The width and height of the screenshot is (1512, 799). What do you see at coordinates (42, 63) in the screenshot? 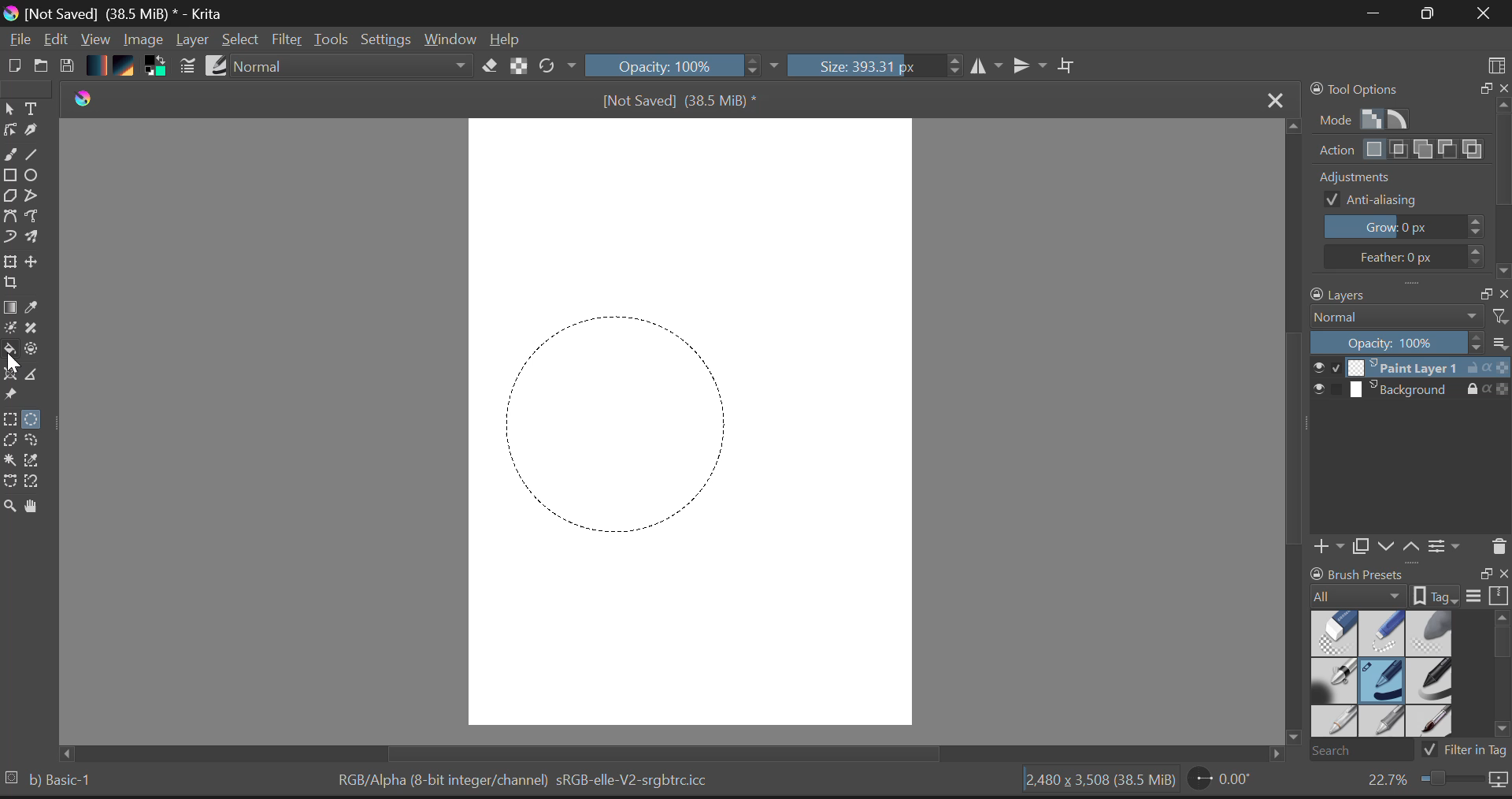
I see `Open` at bounding box center [42, 63].